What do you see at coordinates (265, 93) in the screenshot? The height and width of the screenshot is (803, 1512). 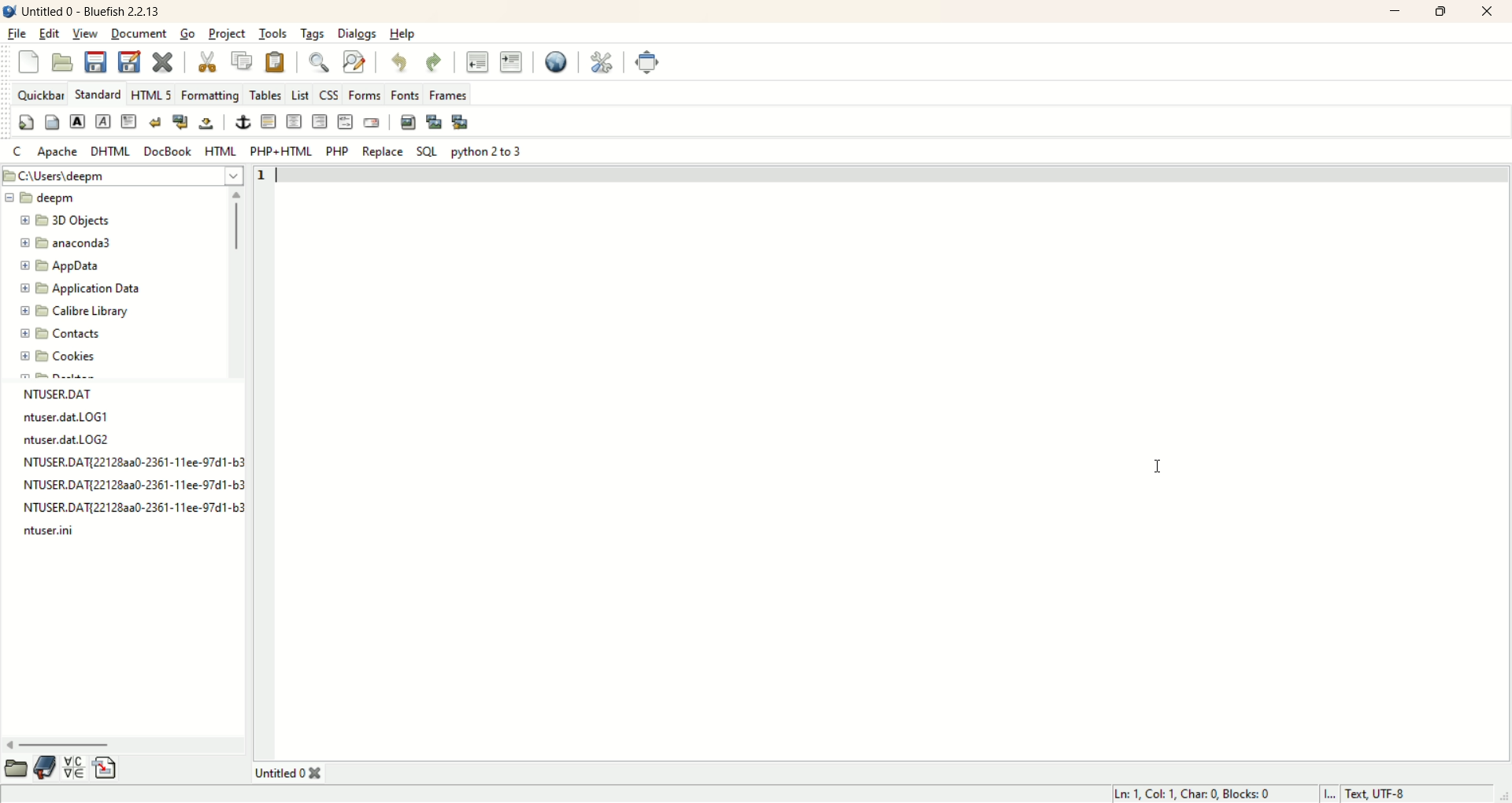 I see `tables` at bounding box center [265, 93].